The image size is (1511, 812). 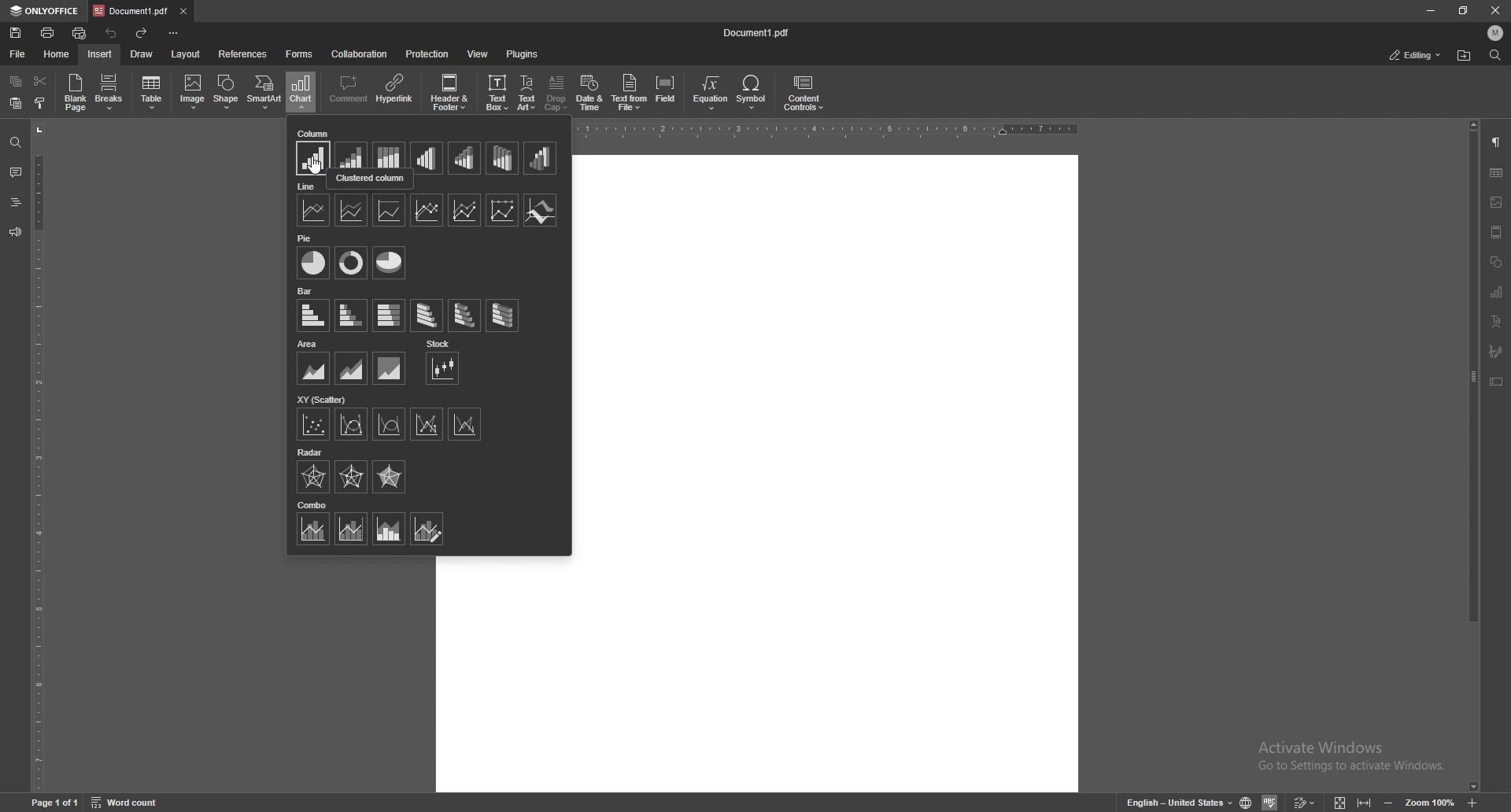 What do you see at coordinates (306, 237) in the screenshot?
I see `pie` at bounding box center [306, 237].